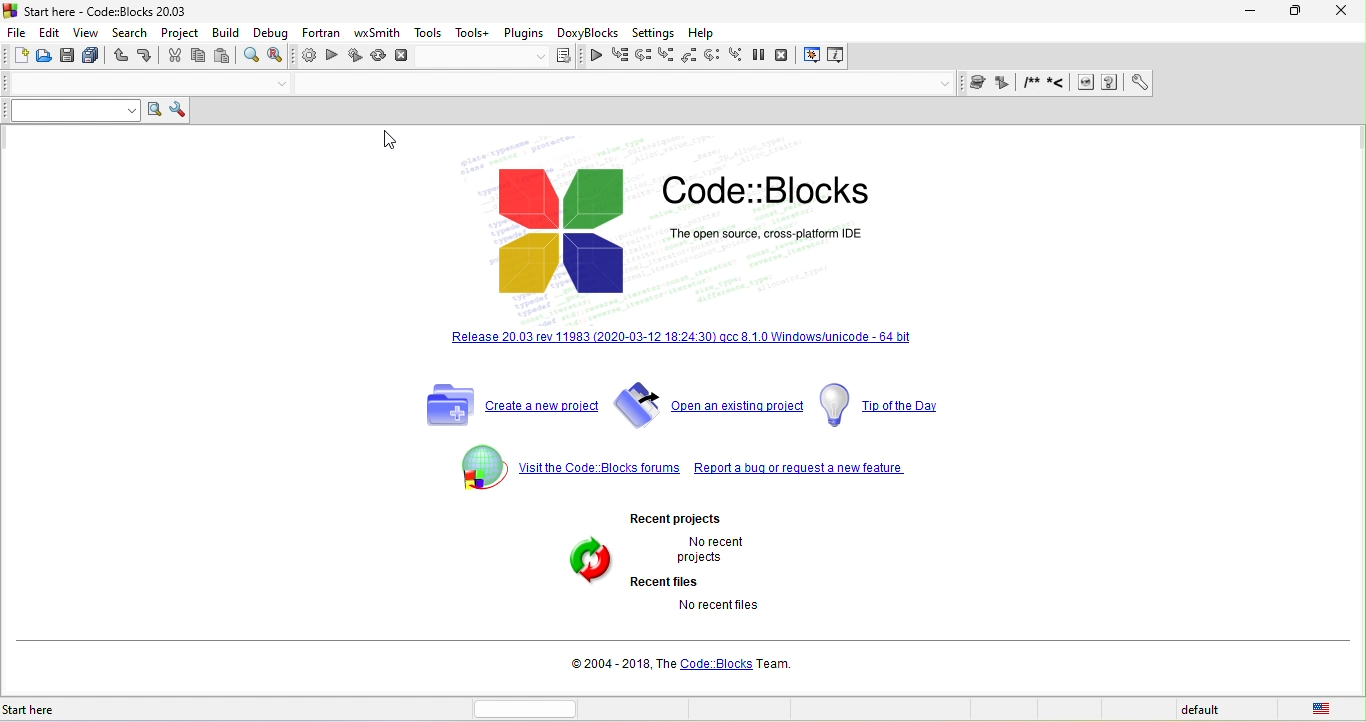 The image size is (1366, 722). Describe the element at coordinates (787, 55) in the screenshot. I see `stop debugger` at that location.